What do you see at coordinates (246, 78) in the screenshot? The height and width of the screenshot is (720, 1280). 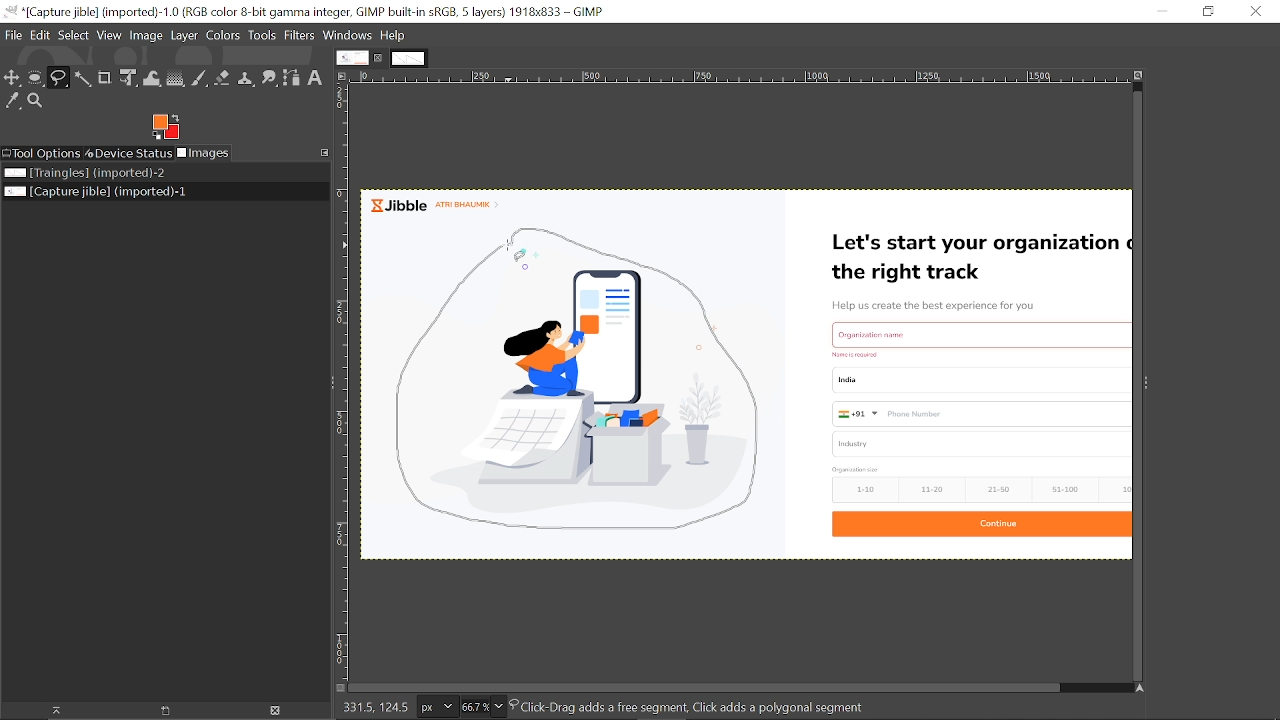 I see `Clone tool` at bounding box center [246, 78].